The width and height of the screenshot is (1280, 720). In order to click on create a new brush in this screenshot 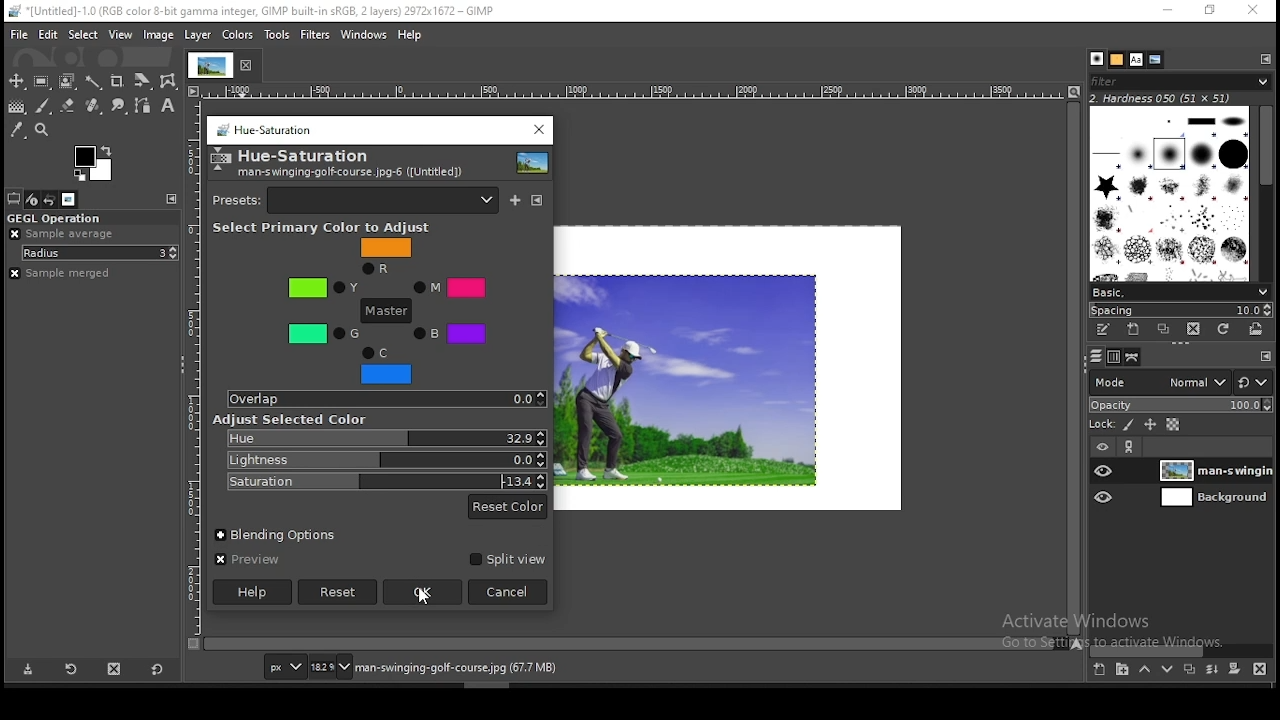, I will do `click(1135, 331)`.